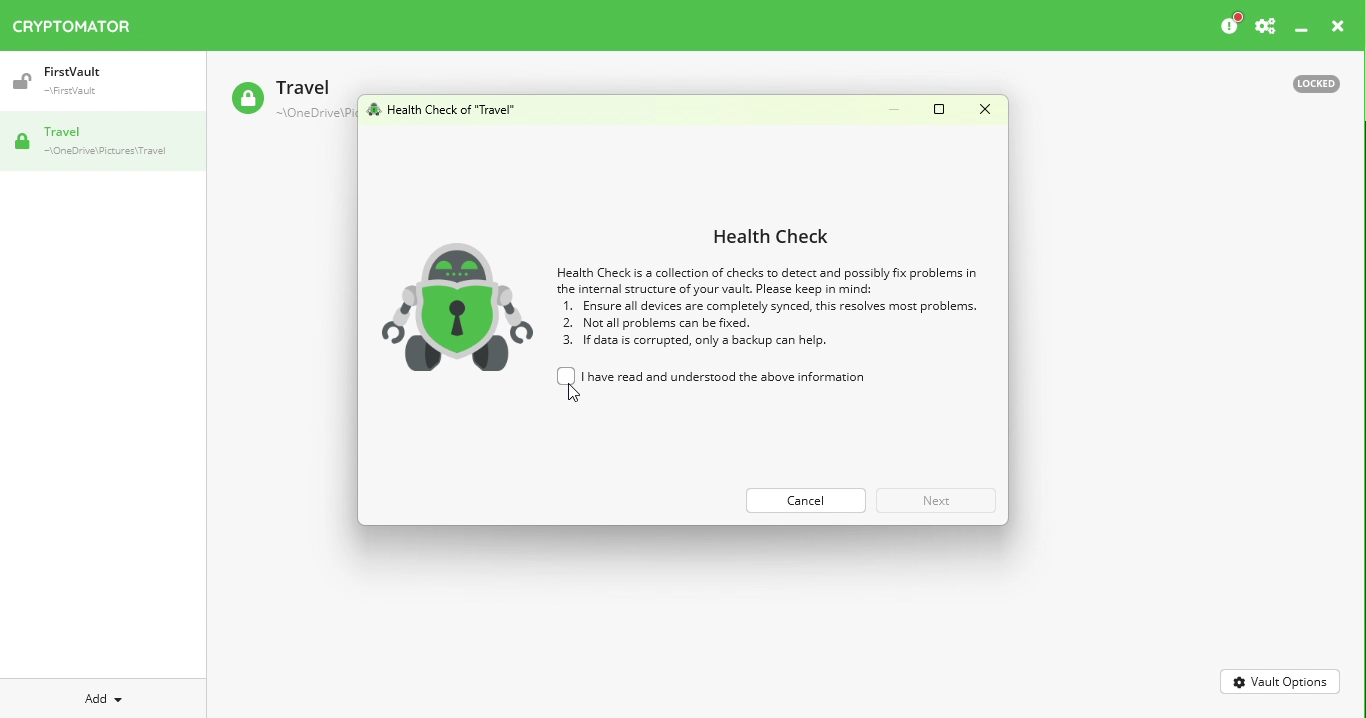  What do you see at coordinates (82, 22) in the screenshot?
I see `Cryptomator icon` at bounding box center [82, 22].